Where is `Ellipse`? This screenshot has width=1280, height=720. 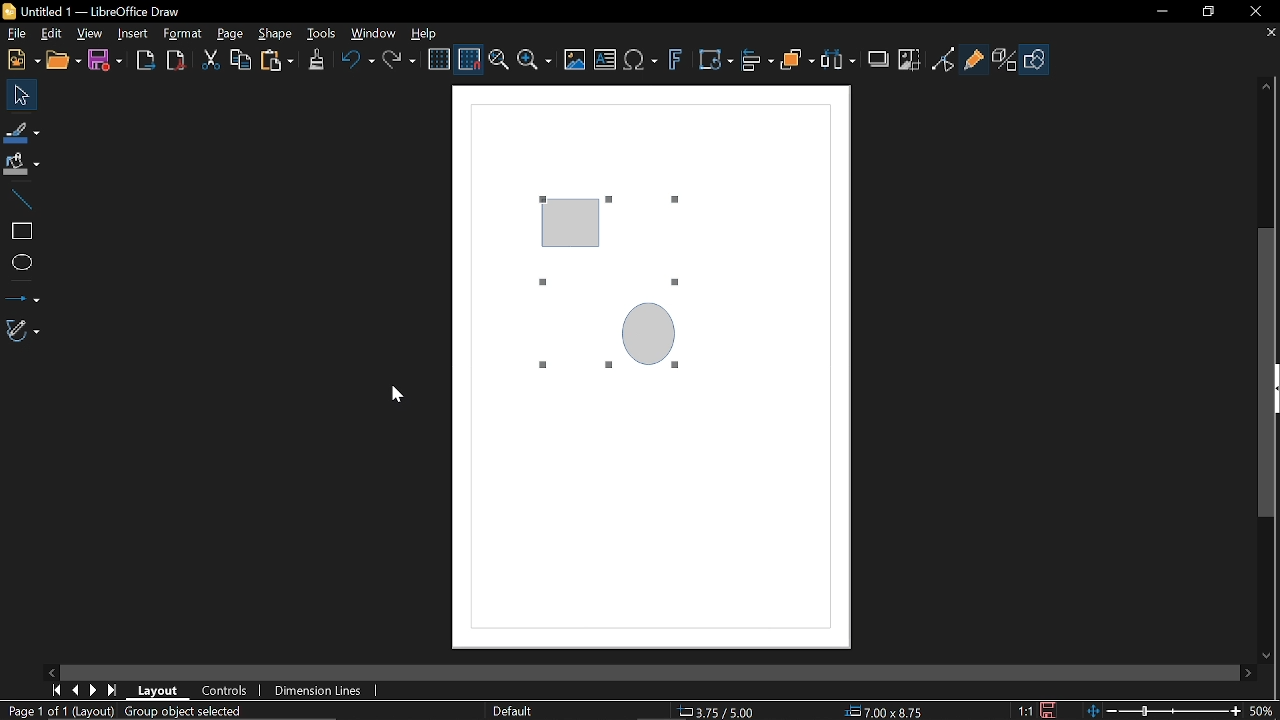 Ellipse is located at coordinates (19, 262).